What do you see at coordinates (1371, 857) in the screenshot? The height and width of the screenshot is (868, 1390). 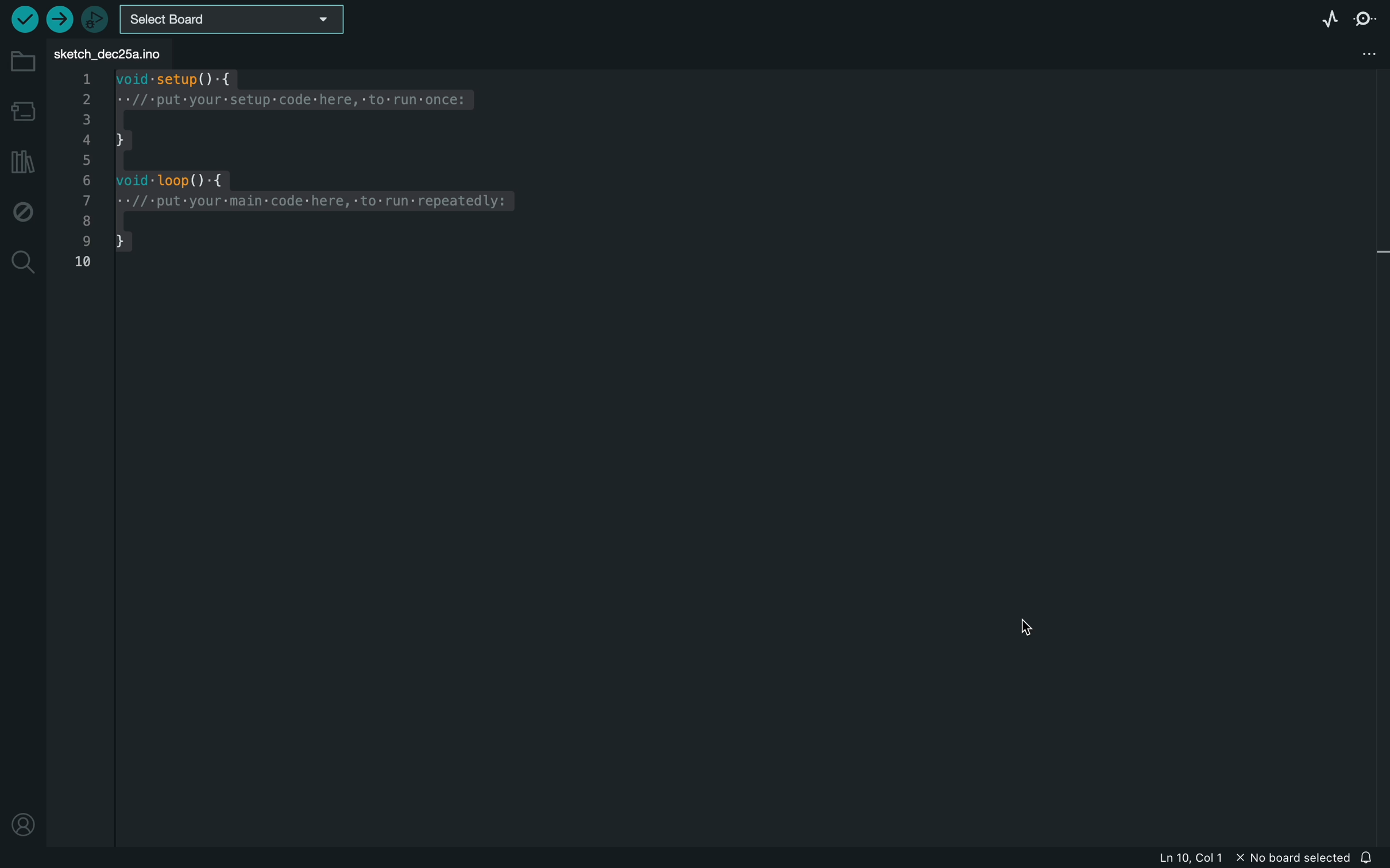 I see `notification` at bounding box center [1371, 857].